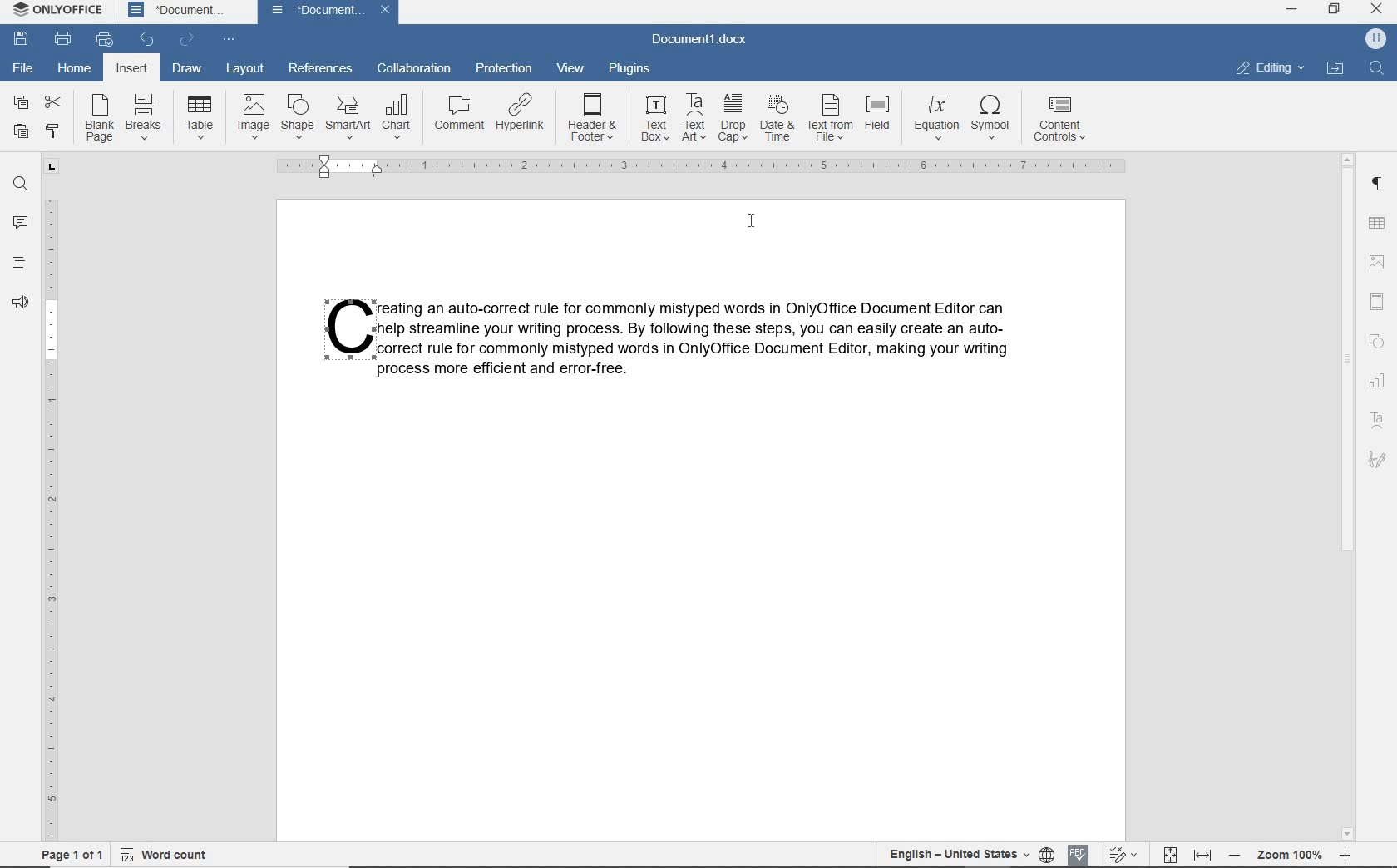 The image size is (1397, 868). What do you see at coordinates (705, 167) in the screenshot?
I see `ruler` at bounding box center [705, 167].